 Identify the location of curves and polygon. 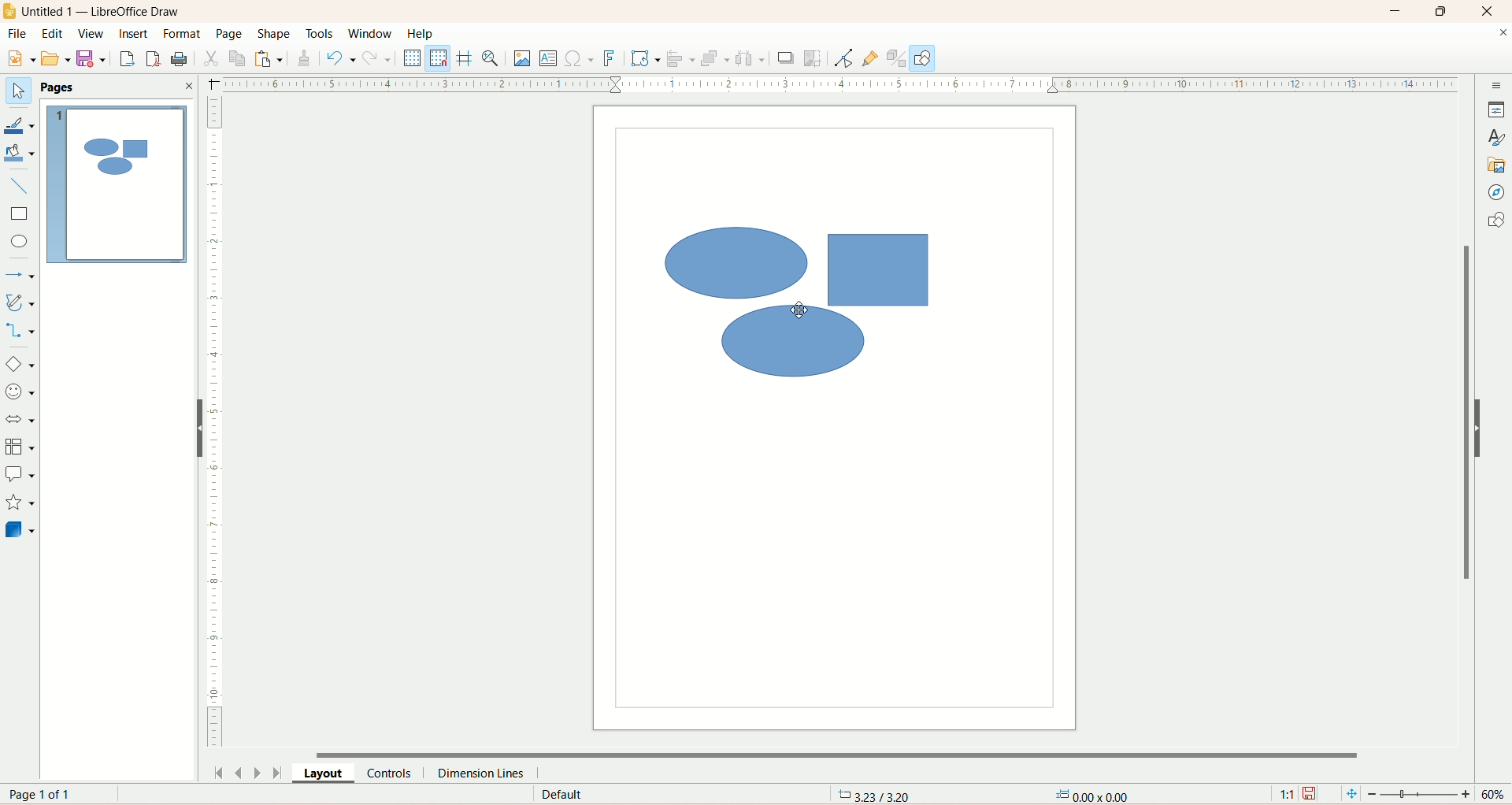
(20, 302).